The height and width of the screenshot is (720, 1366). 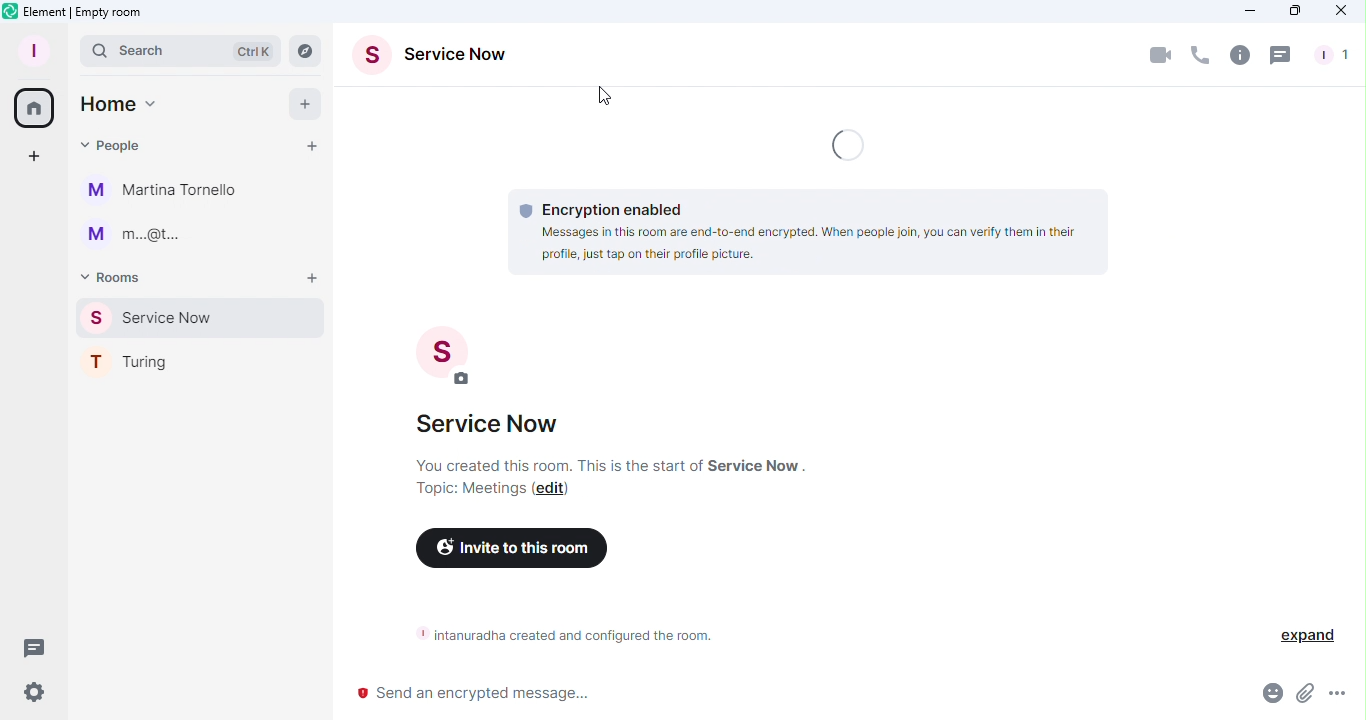 I want to click on People, so click(x=1329, y=55).